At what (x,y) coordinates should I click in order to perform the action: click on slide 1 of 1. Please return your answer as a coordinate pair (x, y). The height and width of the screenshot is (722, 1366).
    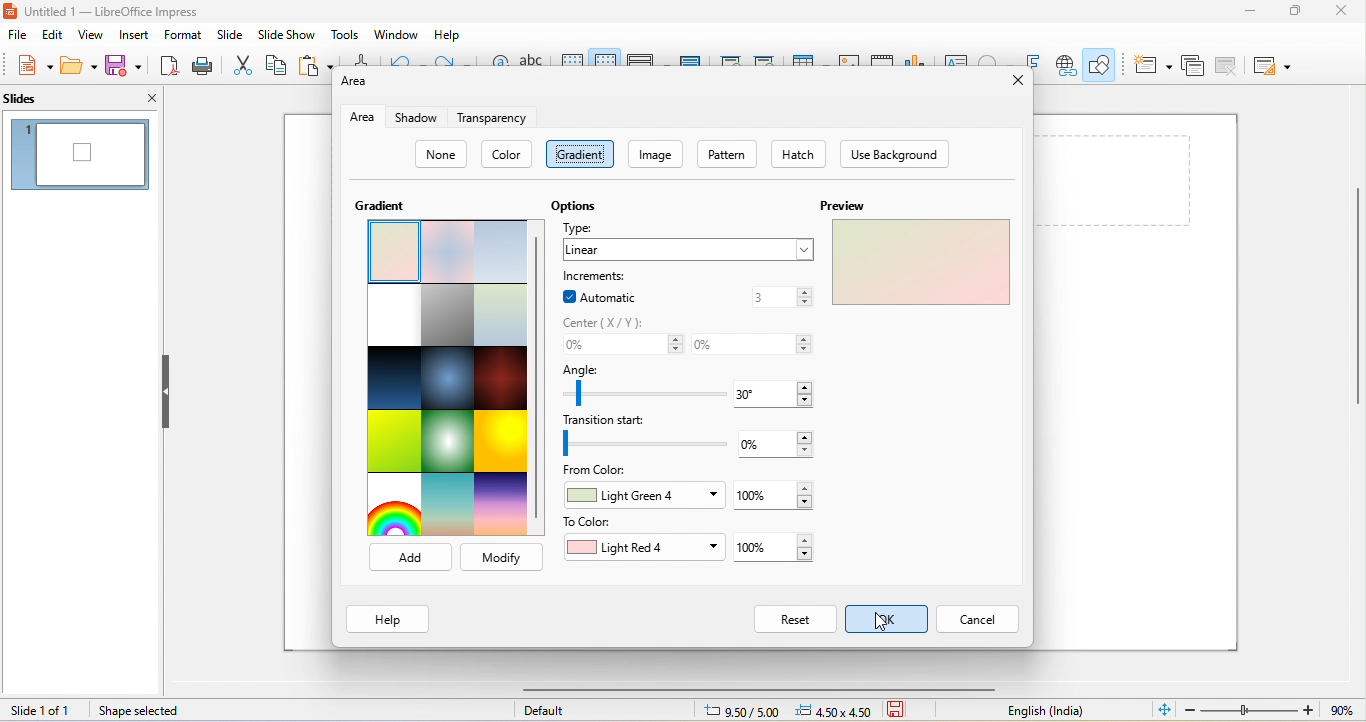
    Looking at the image, I should click on (43, 711).